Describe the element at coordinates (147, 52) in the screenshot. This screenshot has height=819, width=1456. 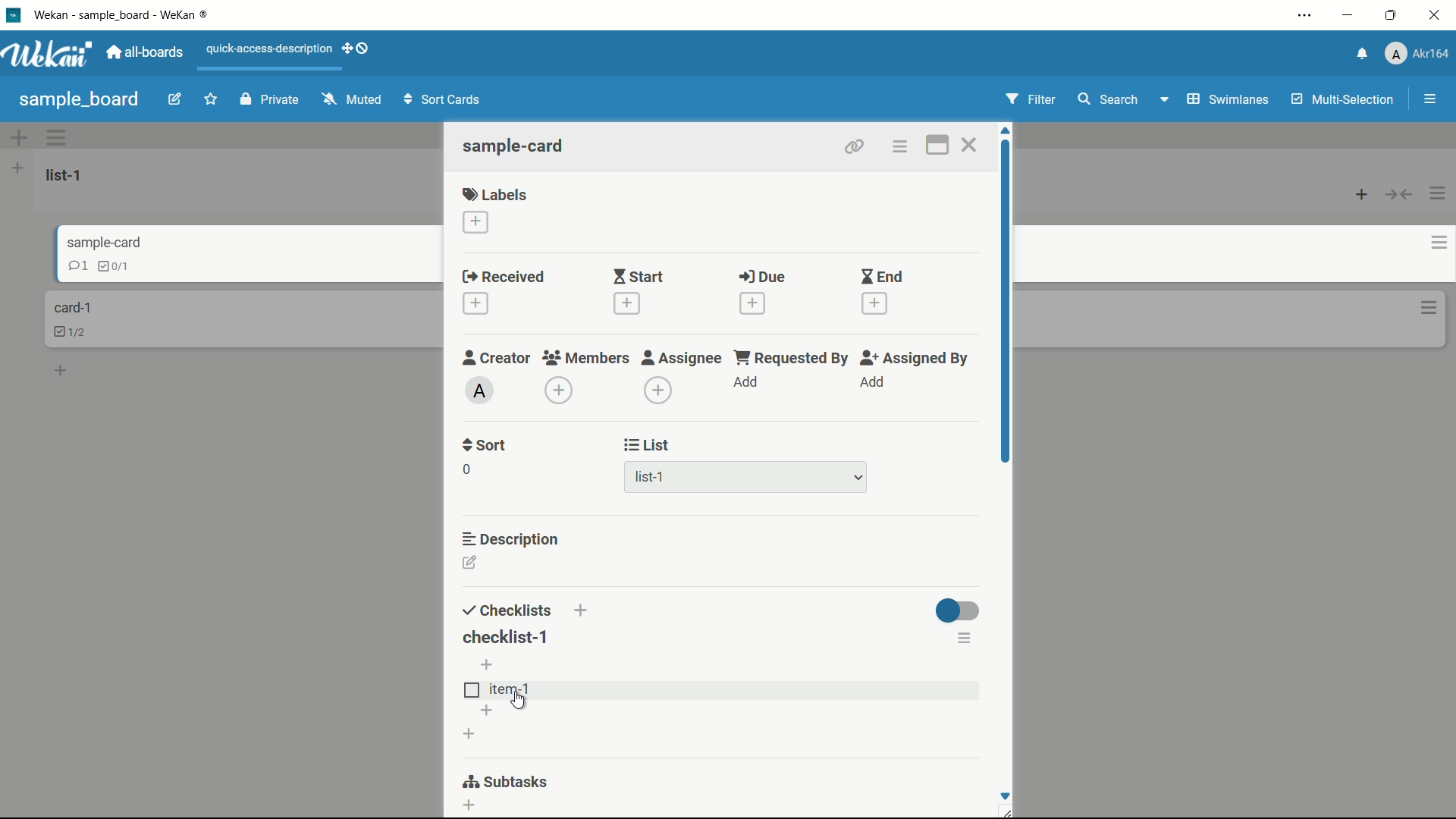
I see `all boards` at that location.